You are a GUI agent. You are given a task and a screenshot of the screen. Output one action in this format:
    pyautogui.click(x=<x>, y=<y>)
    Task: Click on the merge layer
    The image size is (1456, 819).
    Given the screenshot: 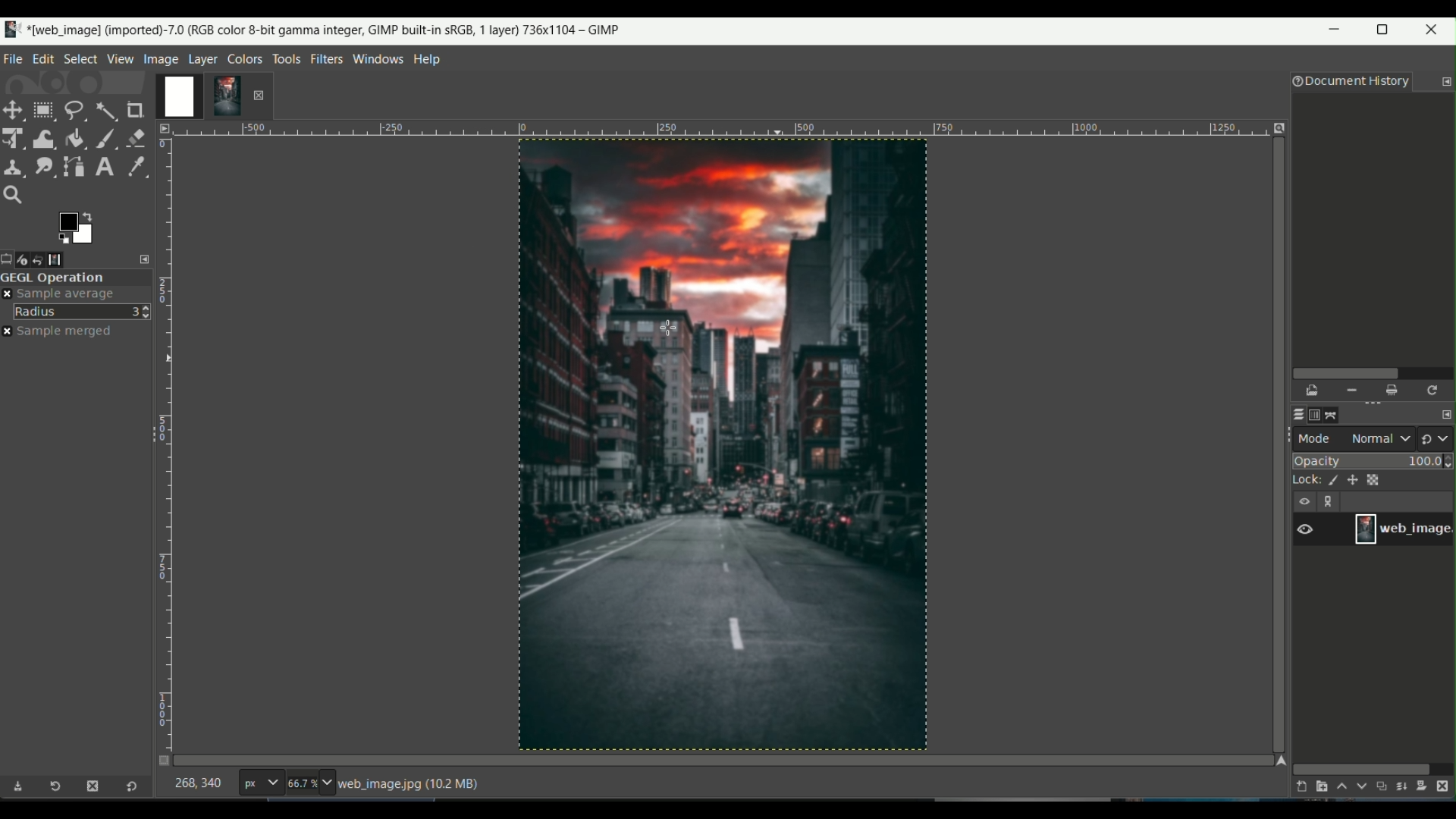 What is the action you would take?
    pyautogui.click(x=1403, y=787)
    